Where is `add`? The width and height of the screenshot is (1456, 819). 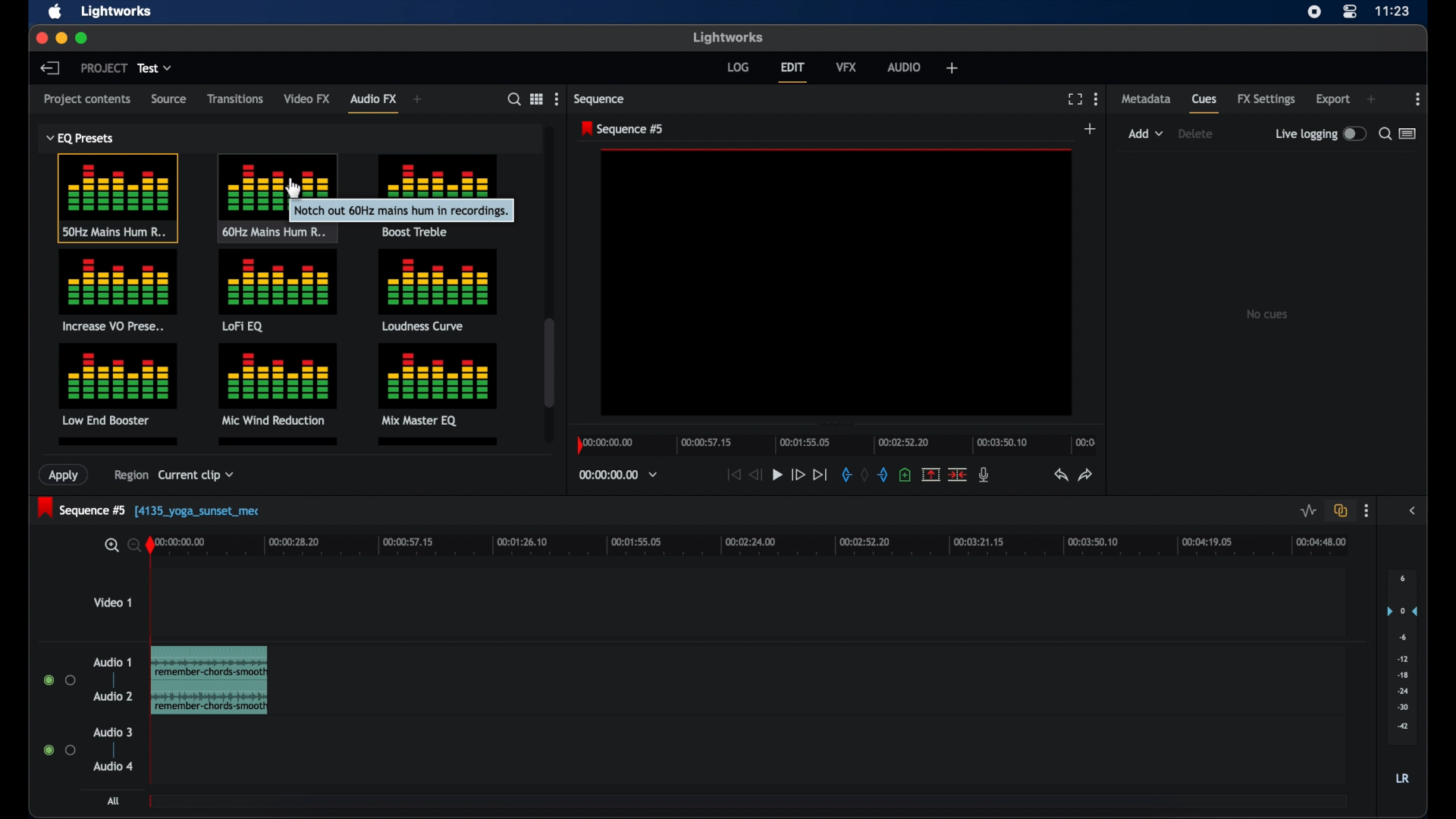
add is located at coordinates (418, 99).